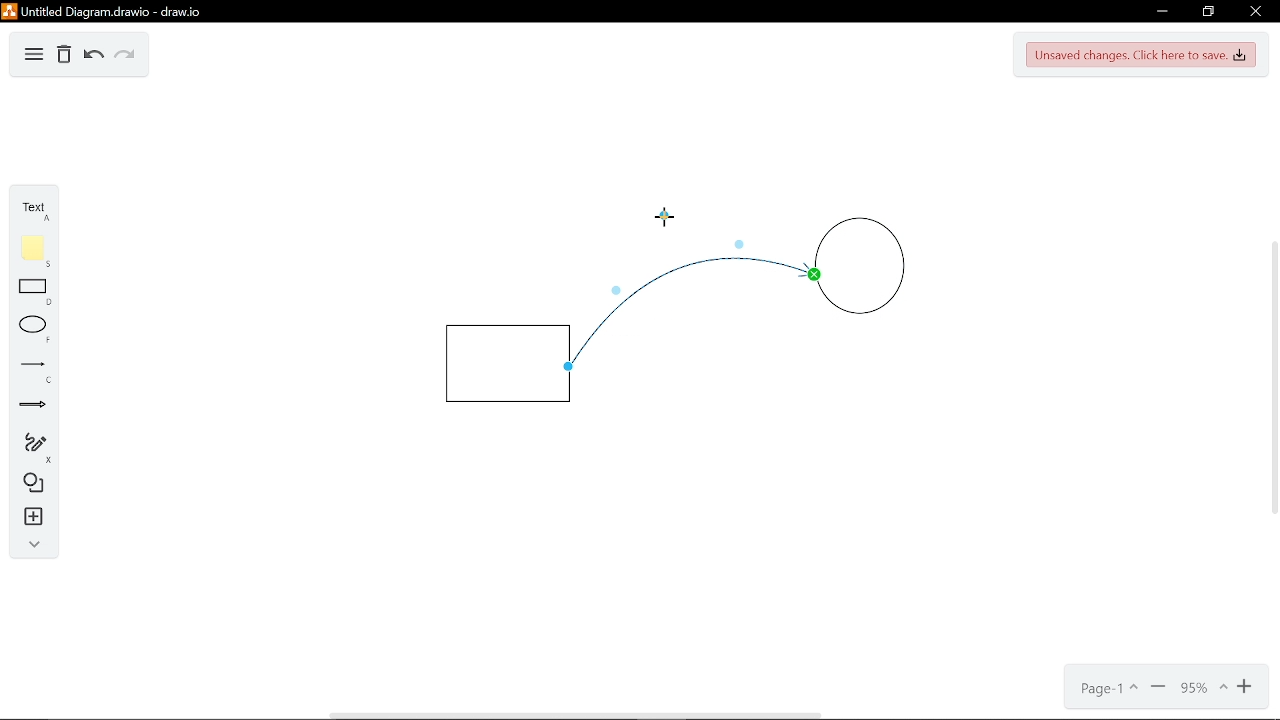 This screenshot has height=720, width=1280. What do you see at coordinates (669, 297) in the screenshot?
I see `Curve` at bounding box center [669, 297].